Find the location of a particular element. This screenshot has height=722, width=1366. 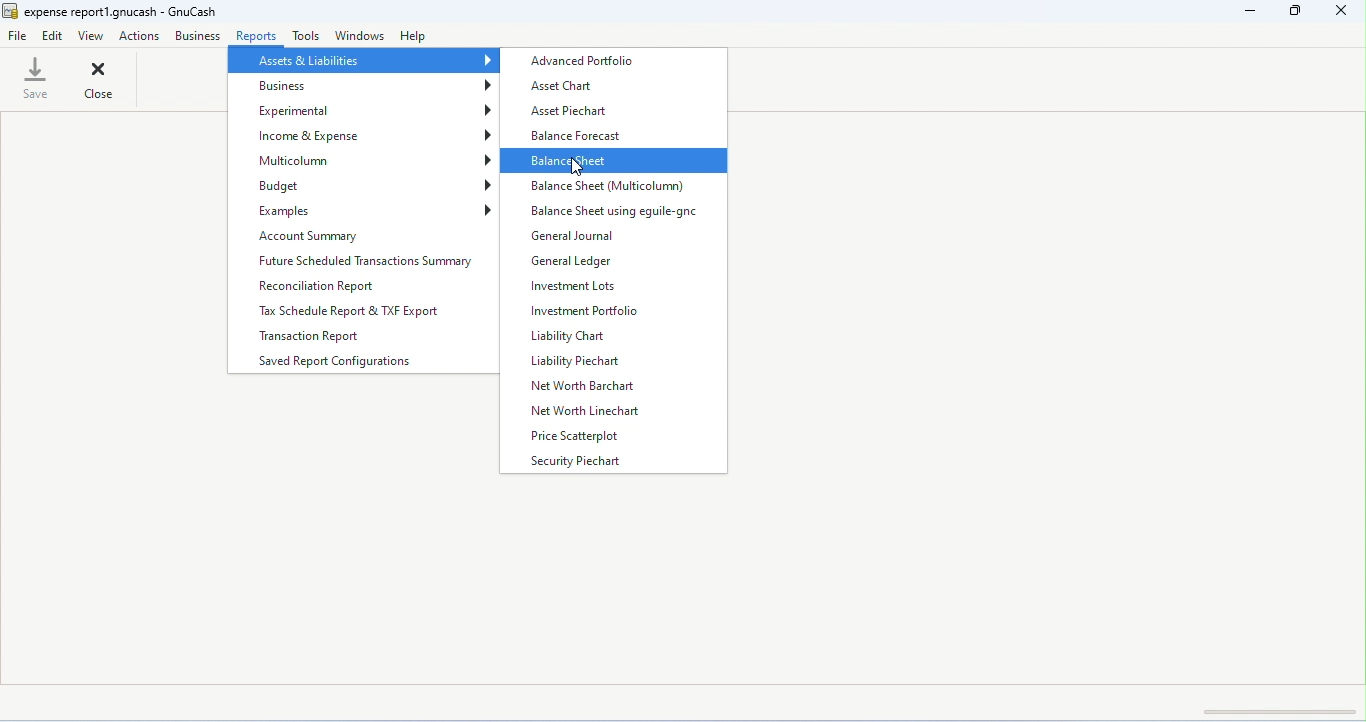

balance sheet using eguile-gnc is located at coordinates (622, 212).